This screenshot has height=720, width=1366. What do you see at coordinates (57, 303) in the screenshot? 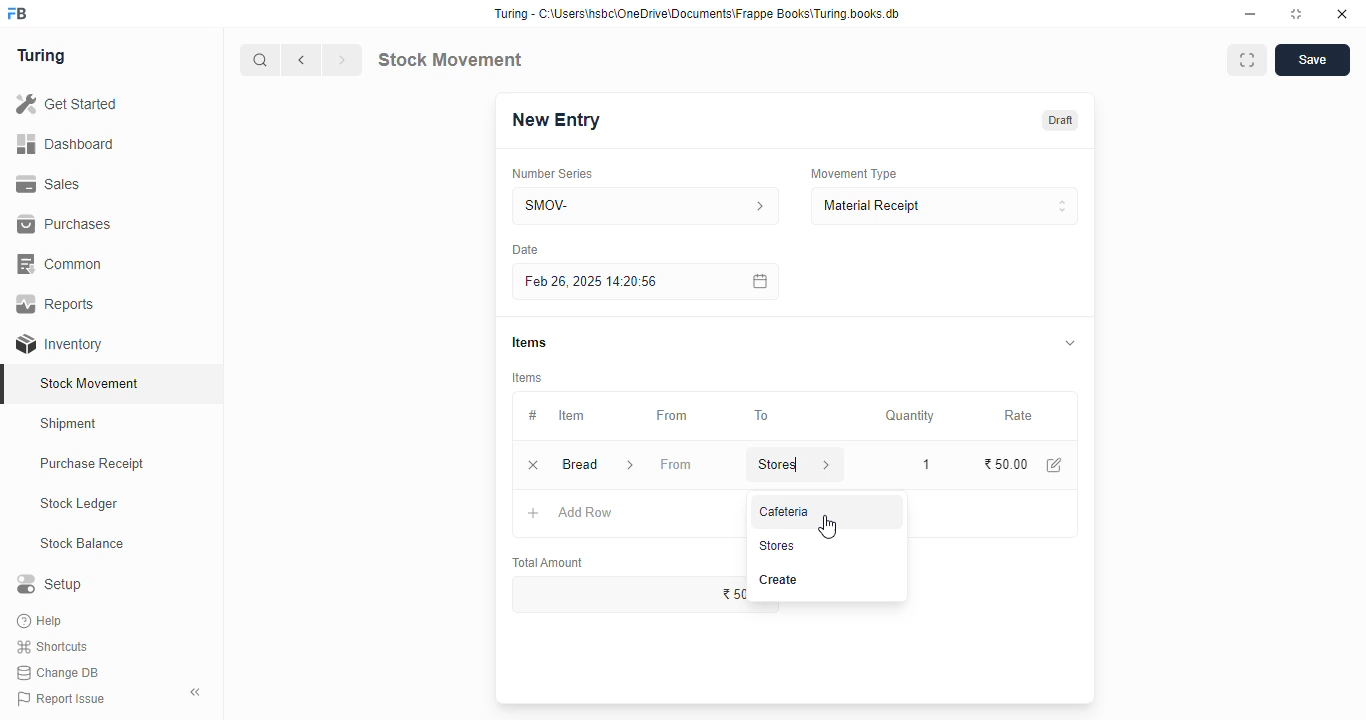
I see `reports` at bounding box center [57, 303].